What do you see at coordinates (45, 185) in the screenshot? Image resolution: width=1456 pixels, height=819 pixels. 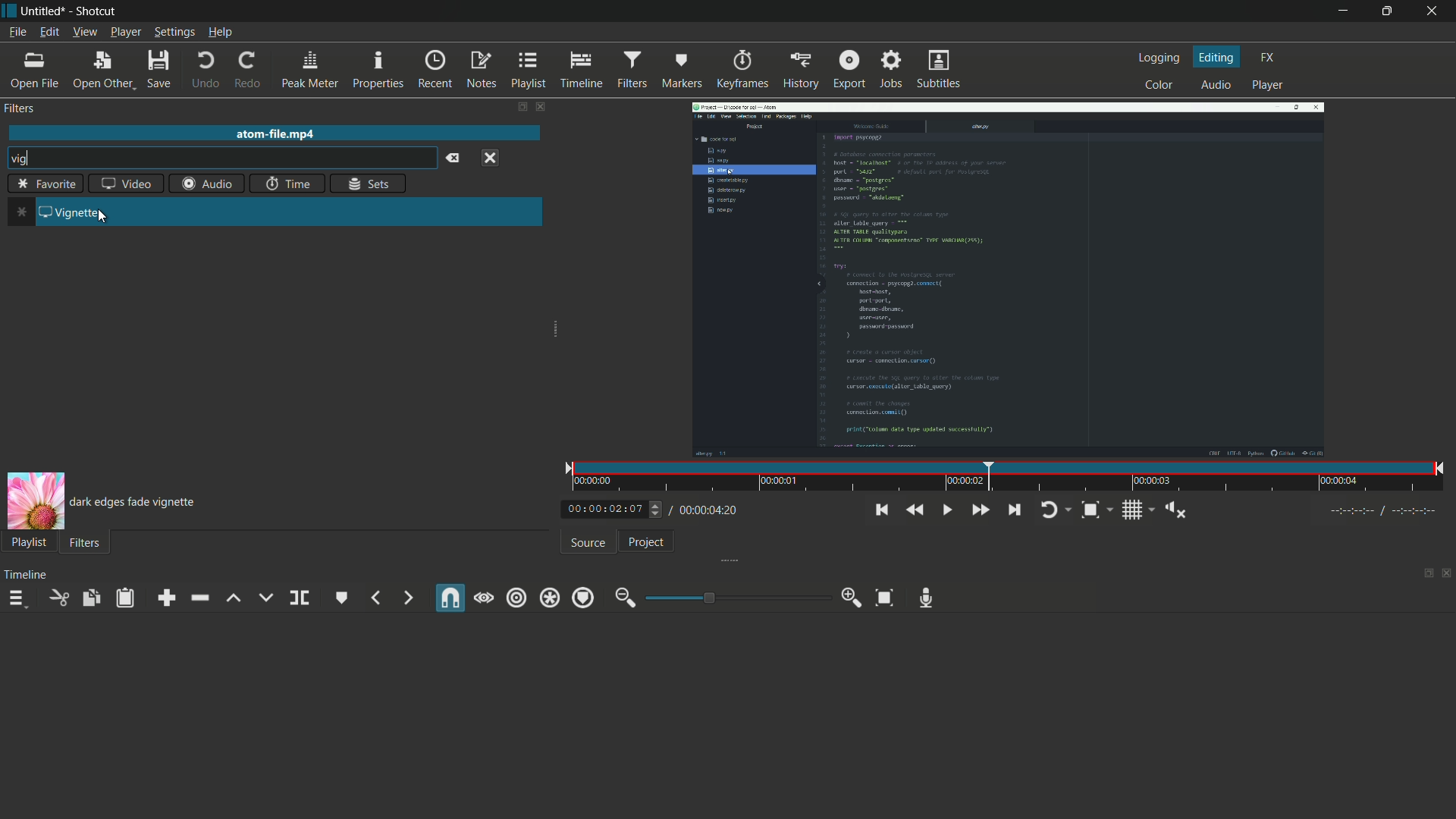 I see `favorite` at bounding box center [45, 185].